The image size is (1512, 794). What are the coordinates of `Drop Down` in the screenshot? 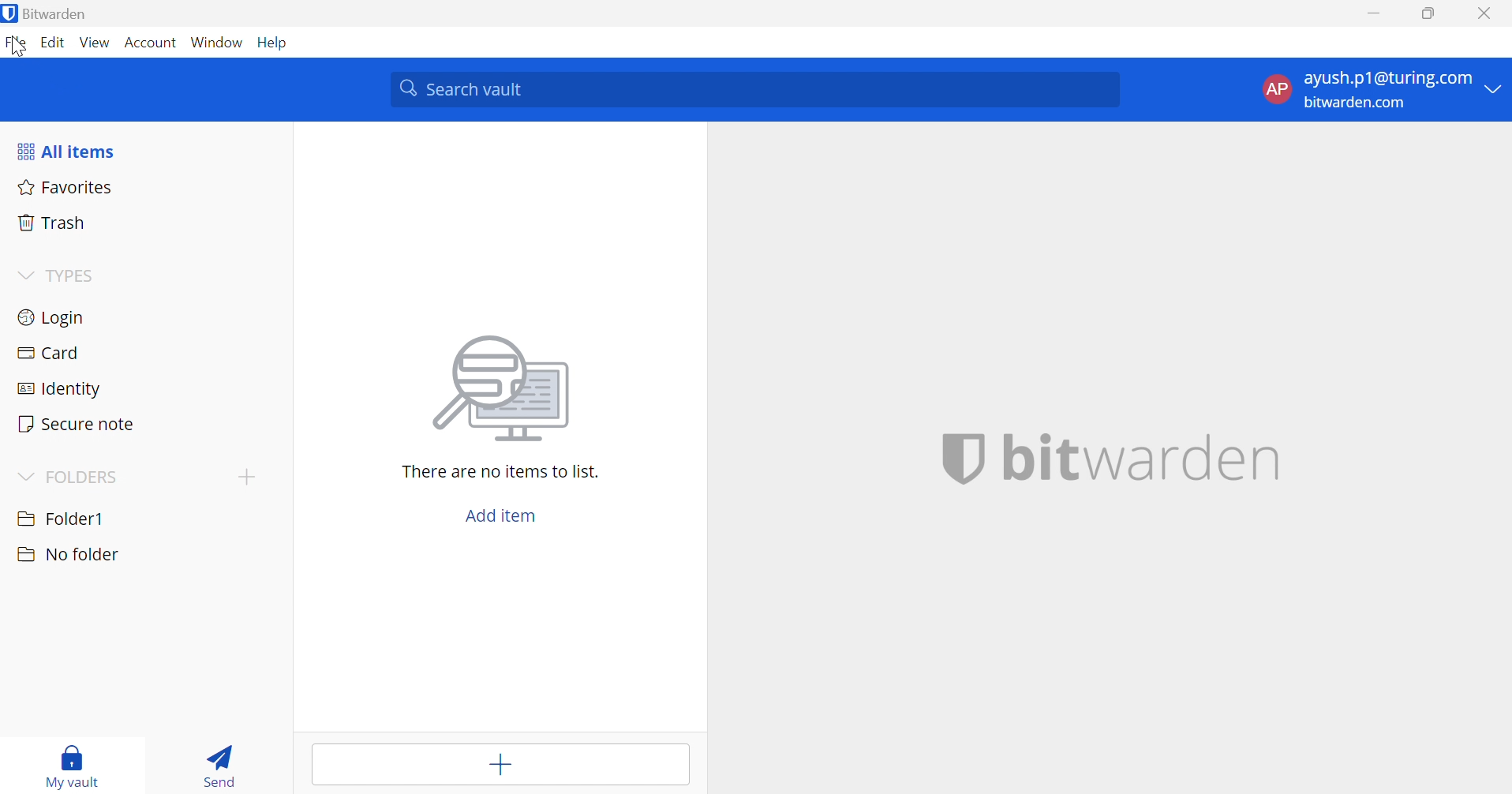 It's located at (24, 273).